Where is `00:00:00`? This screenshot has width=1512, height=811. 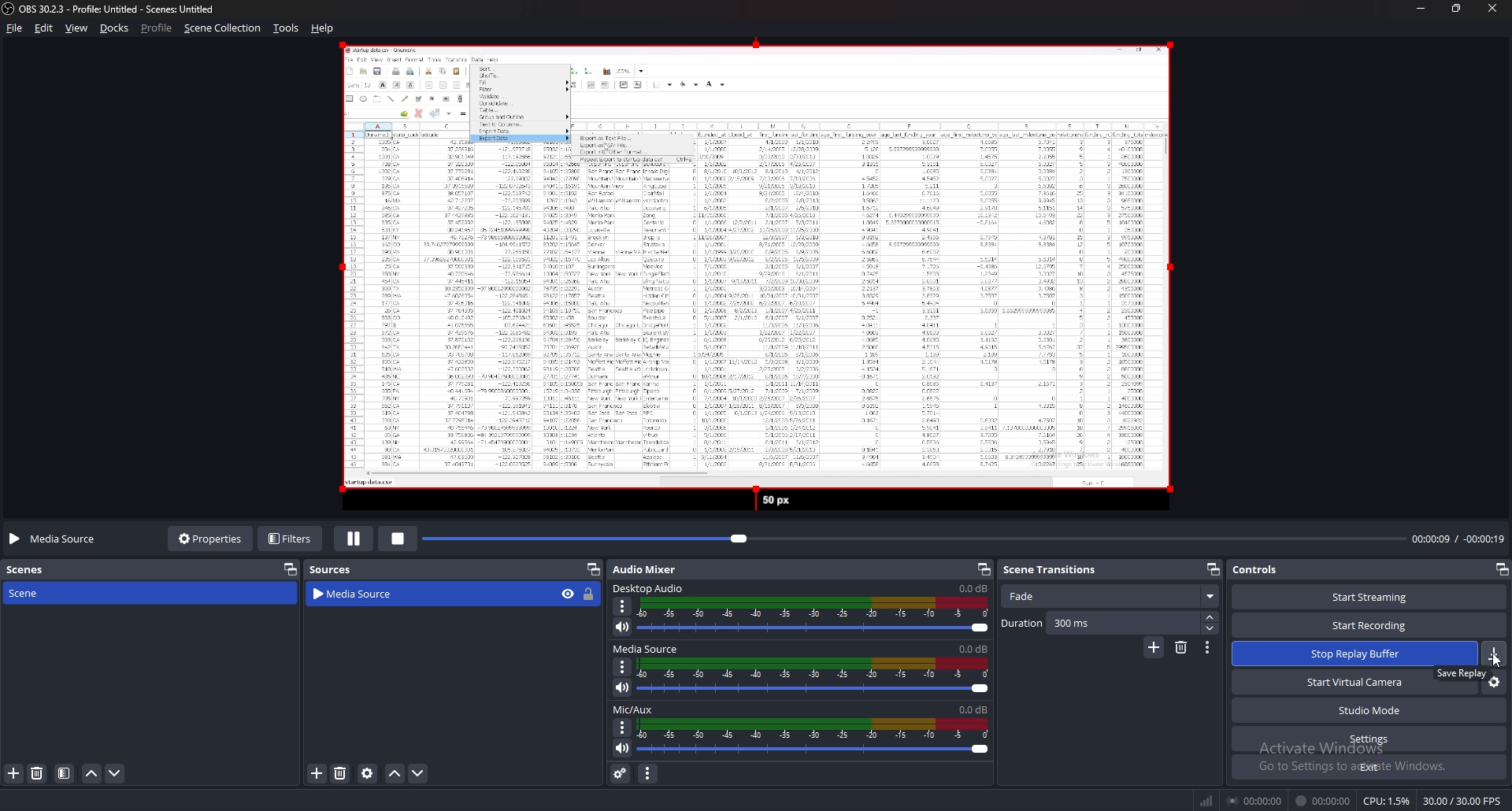 00:00:00 is located at coordinates (1254, 800).